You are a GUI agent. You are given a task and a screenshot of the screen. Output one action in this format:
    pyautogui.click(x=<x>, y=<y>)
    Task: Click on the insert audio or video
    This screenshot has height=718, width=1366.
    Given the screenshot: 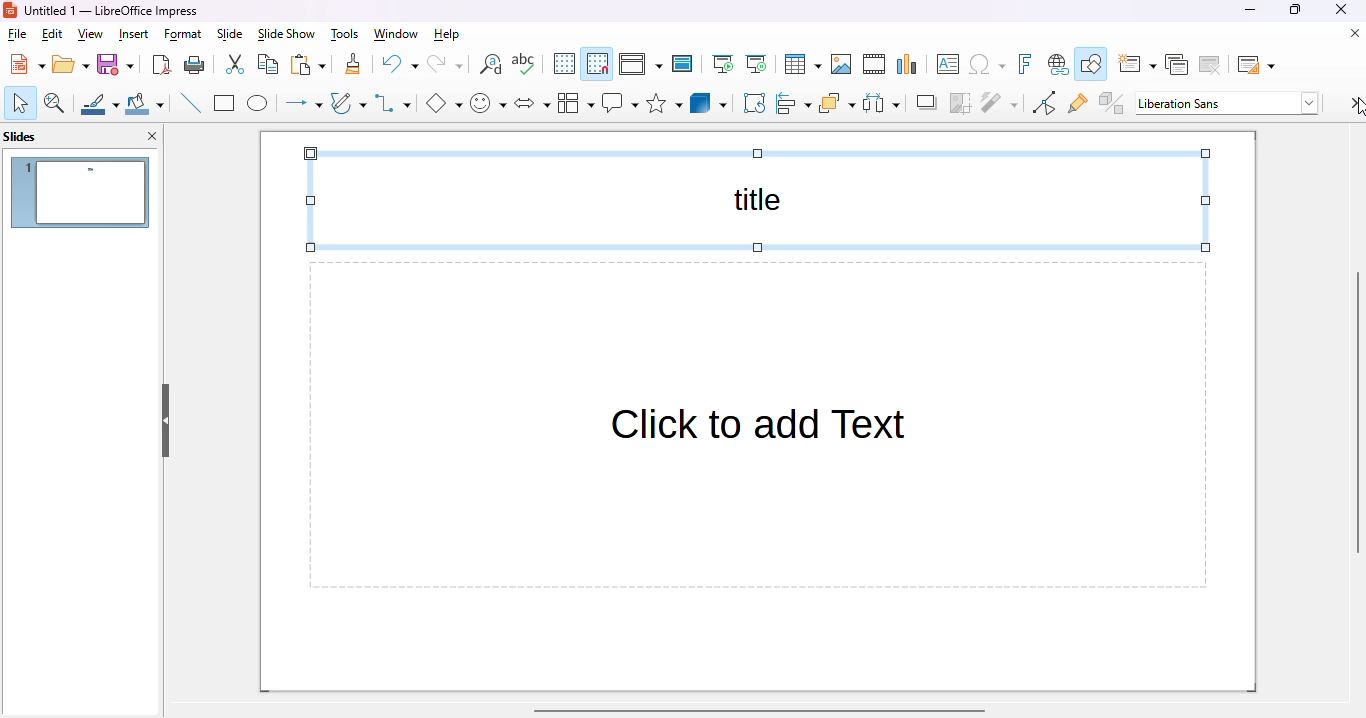 What is the action you would take?
    pyautogui.click(x=874, y=64)
    